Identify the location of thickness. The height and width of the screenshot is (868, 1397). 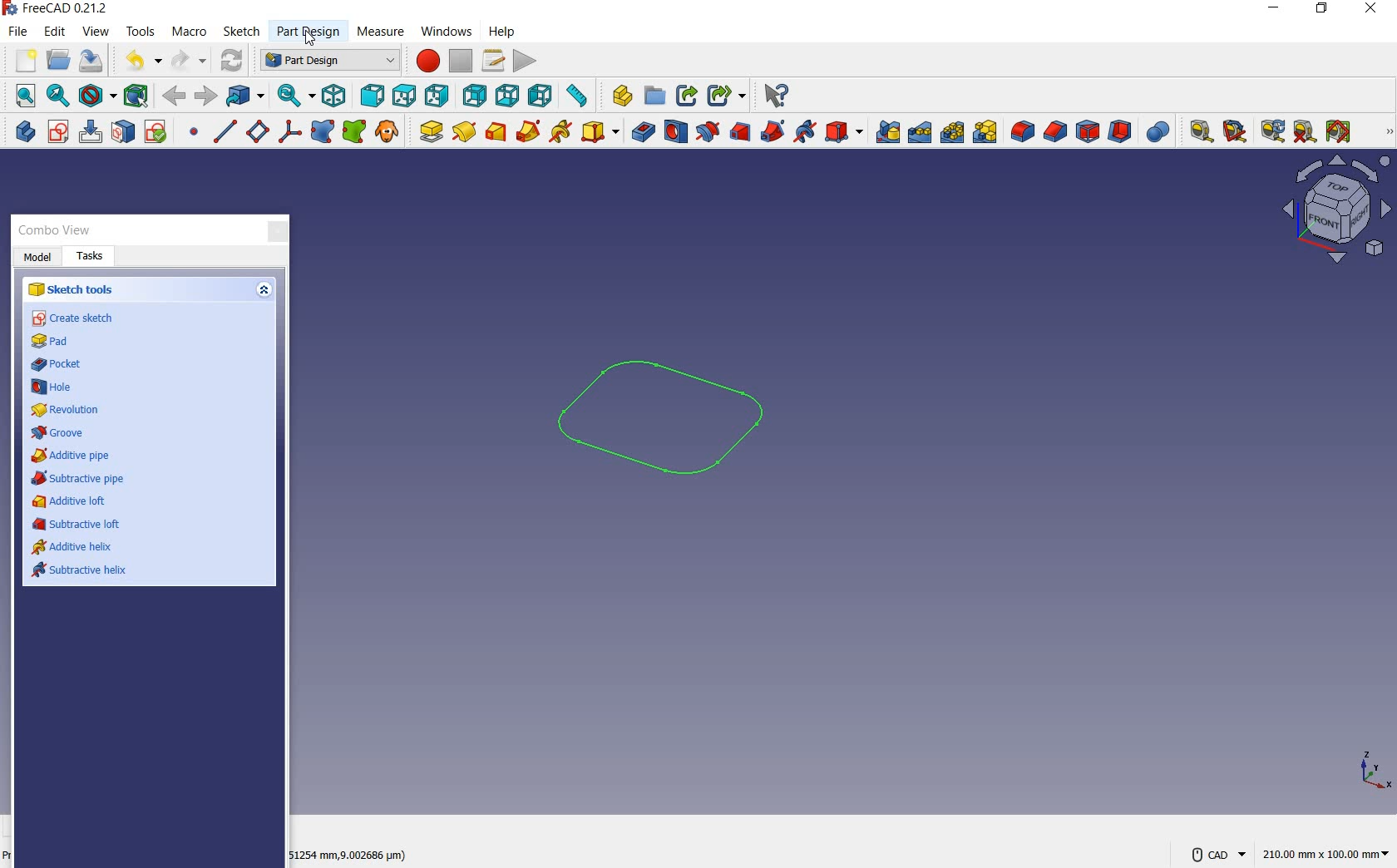
(1120, 132).